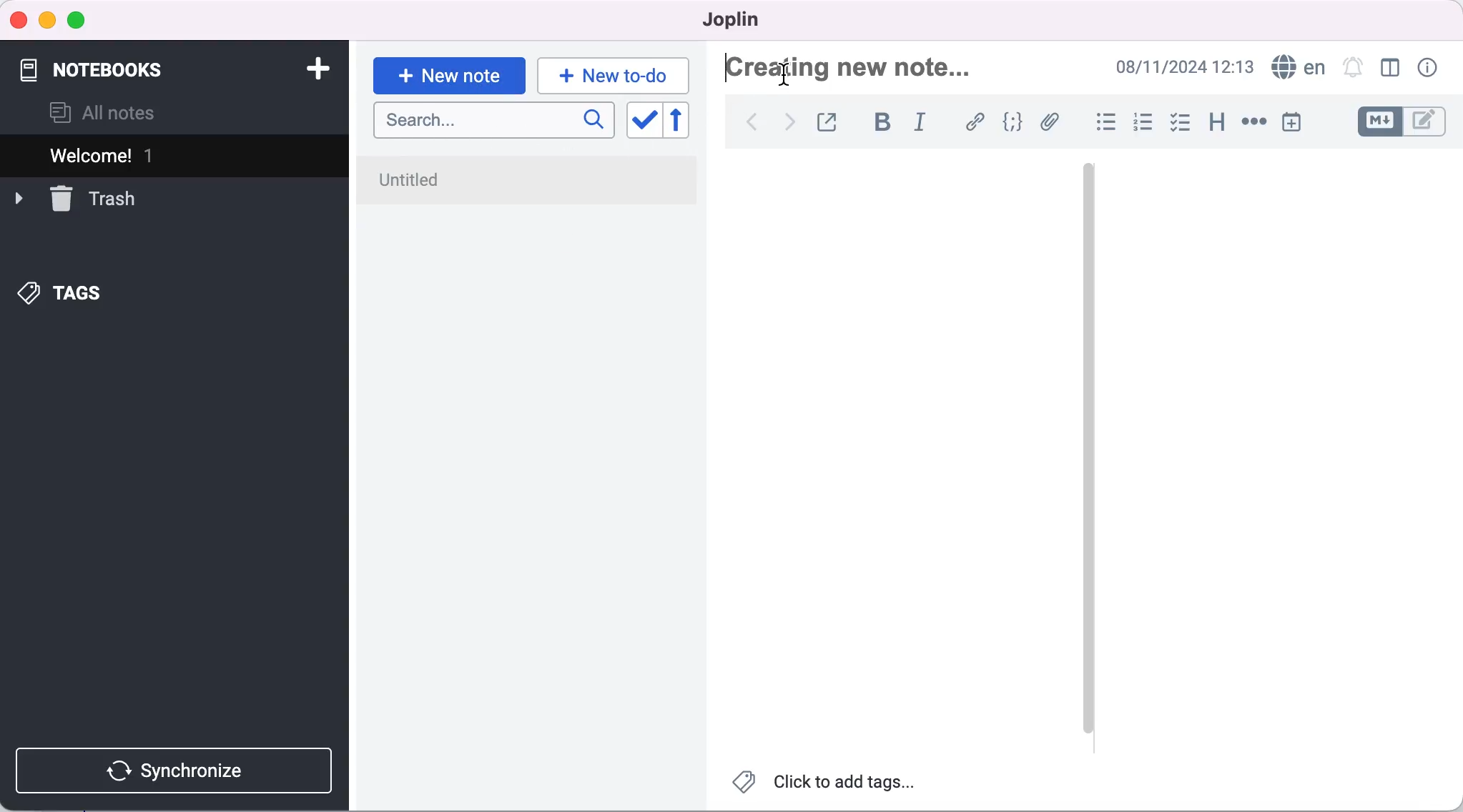 The image size is (1463, 812). I want to click on hyperlink, so click(977, 122).